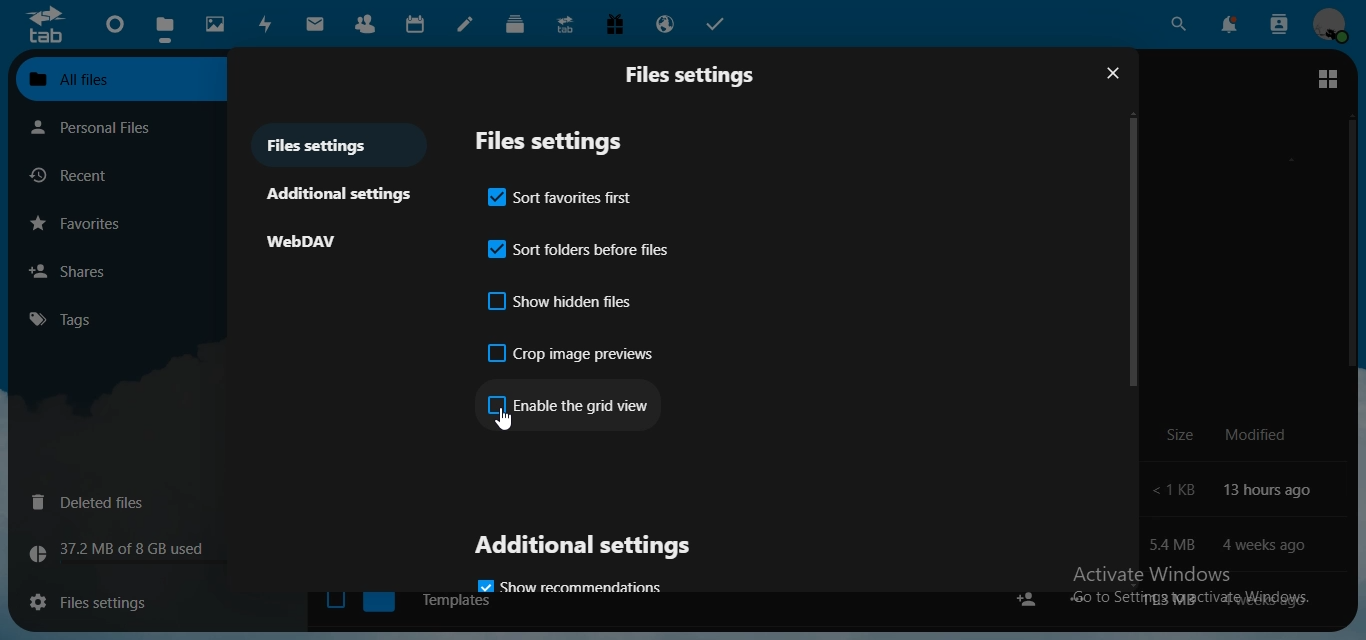  What do you see at coordinates (45, 27) in the screenshot?
I see `icon` at bounding box center [45, 27].